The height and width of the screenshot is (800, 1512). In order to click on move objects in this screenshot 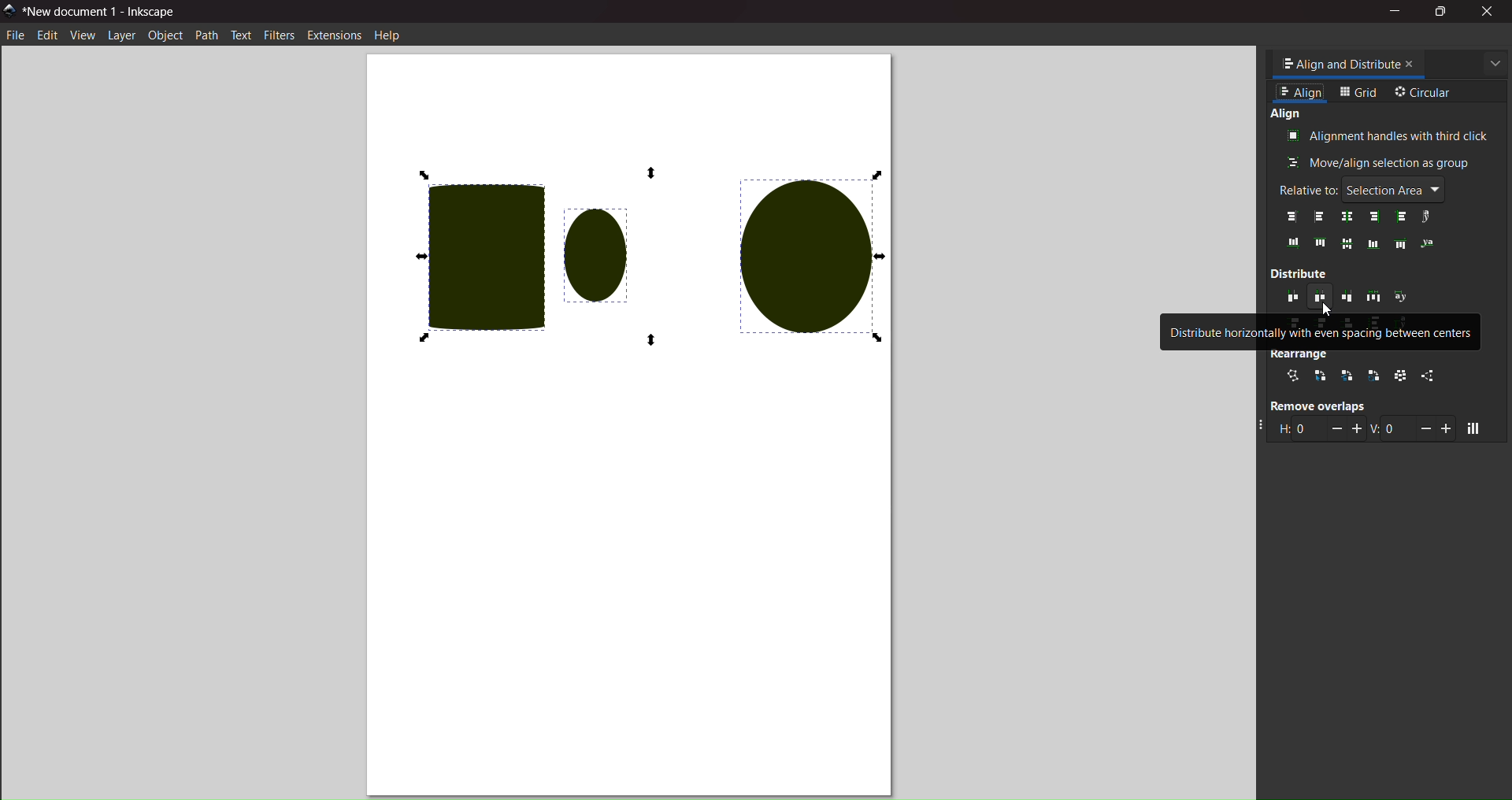, I will do `click(1476, 430)`.